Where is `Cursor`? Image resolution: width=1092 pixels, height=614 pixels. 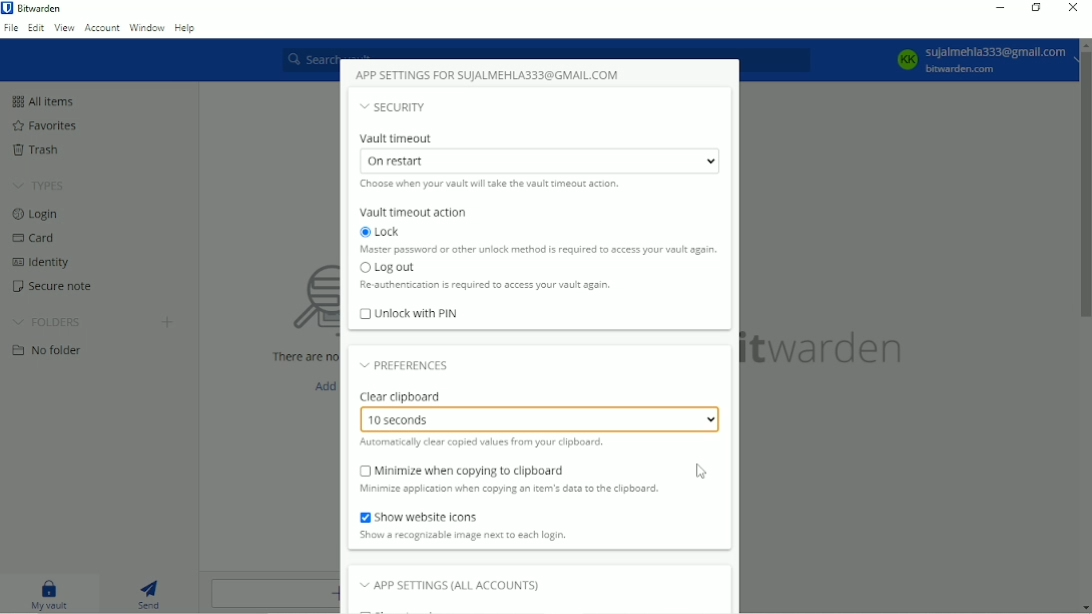 Cursor is located at coordinates (702, 472).